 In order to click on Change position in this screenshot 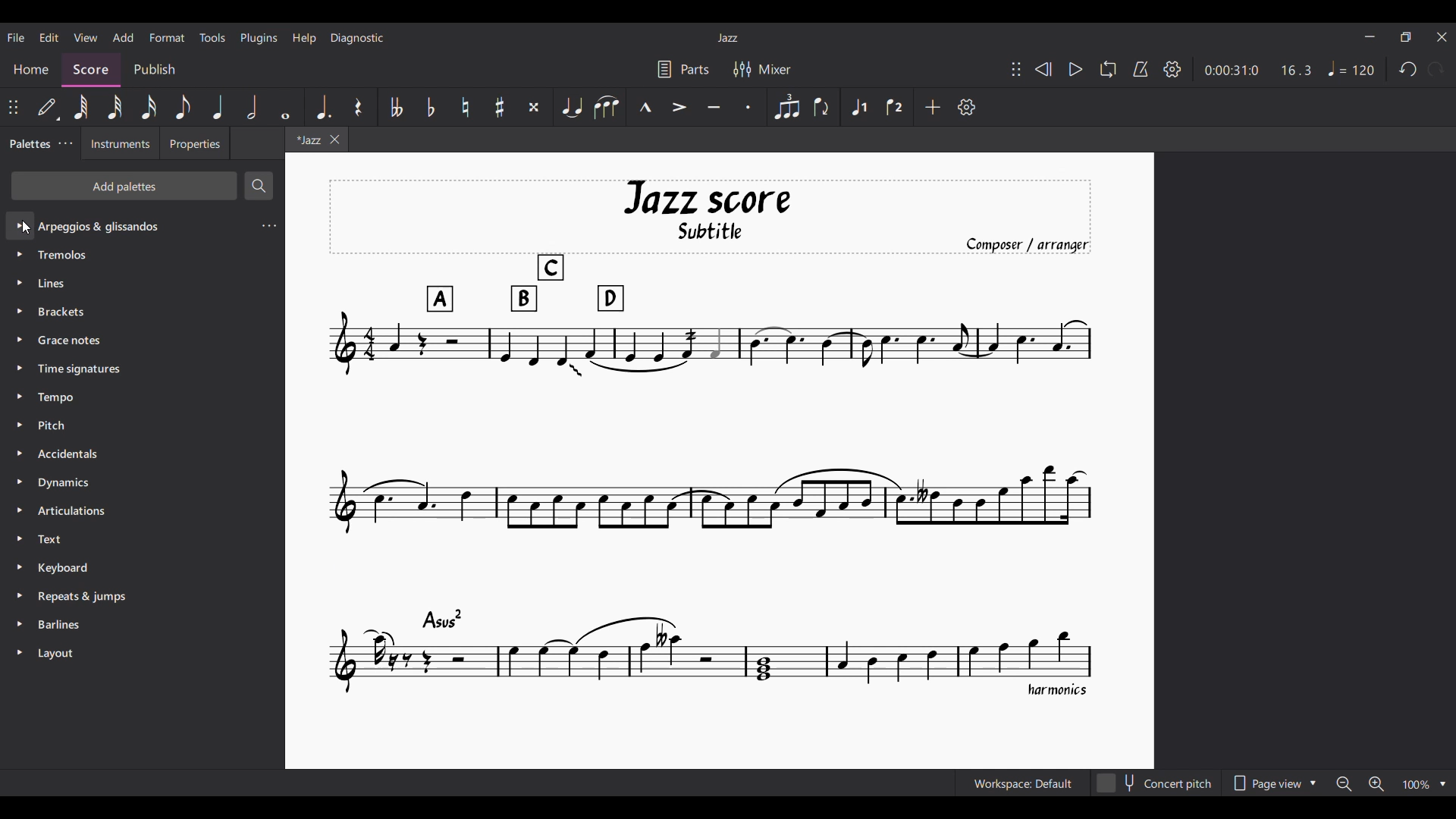, I will do `click(1016, 69)`.